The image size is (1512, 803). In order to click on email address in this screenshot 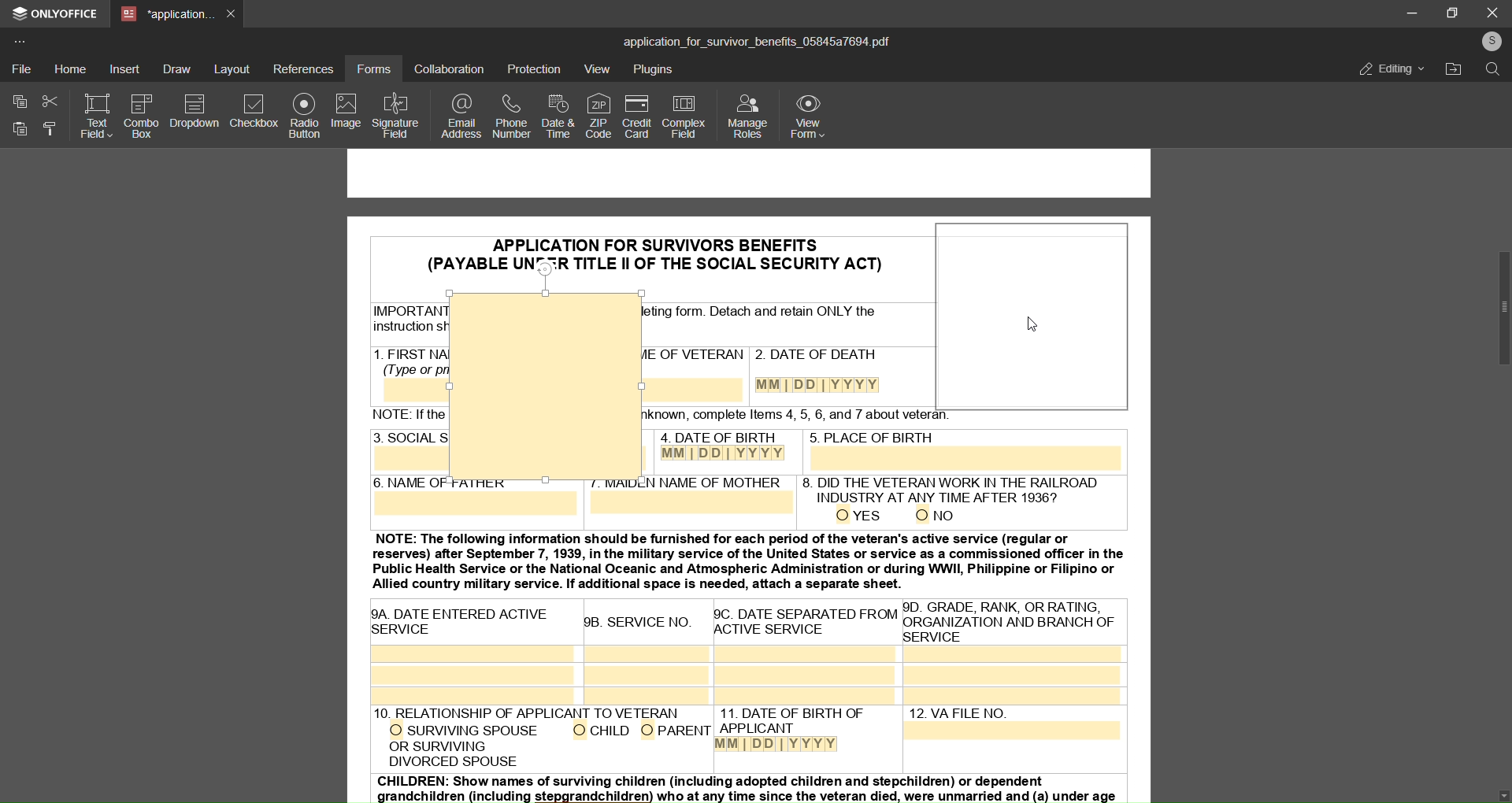, I will do `click(461, 117)`.